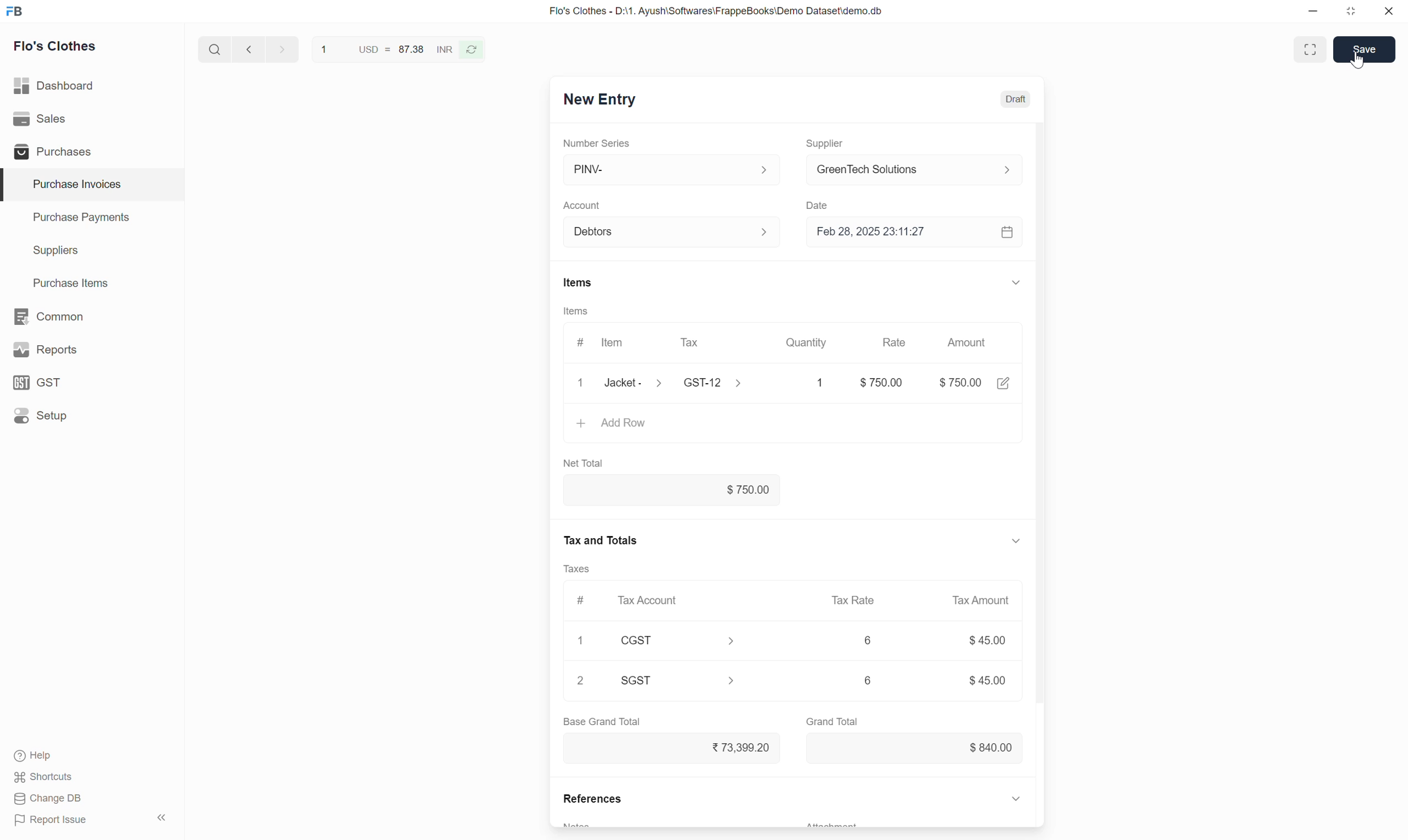 The height and width of the screenshot is (840, 1408). What do you see at coordinates (1016, 798) in the screenshot?
I see `Collapse` at bounding box center [1016, 798].